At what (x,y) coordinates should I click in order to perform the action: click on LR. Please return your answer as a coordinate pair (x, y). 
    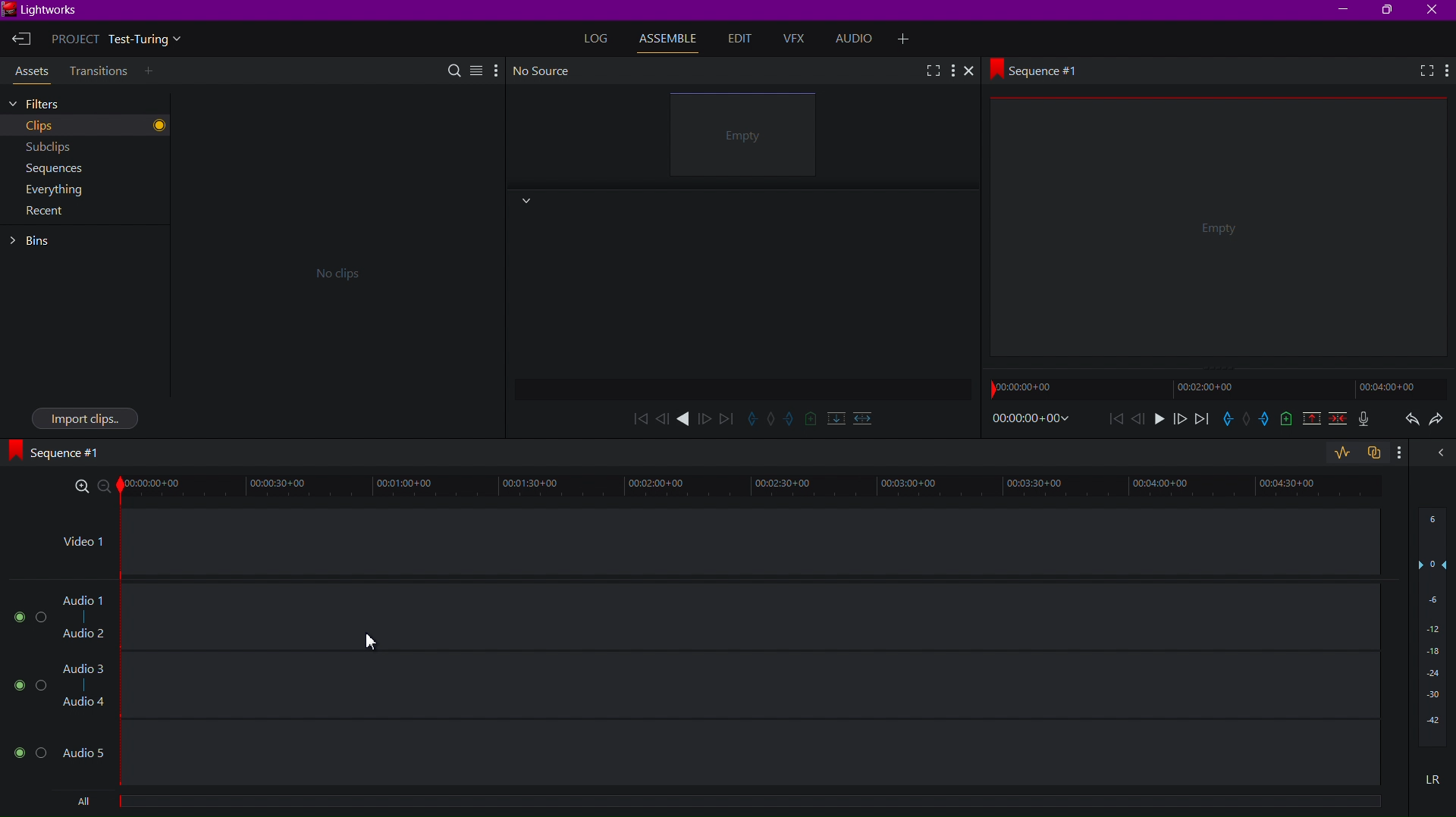
    Looking at the image, I should click on (1434, 778).